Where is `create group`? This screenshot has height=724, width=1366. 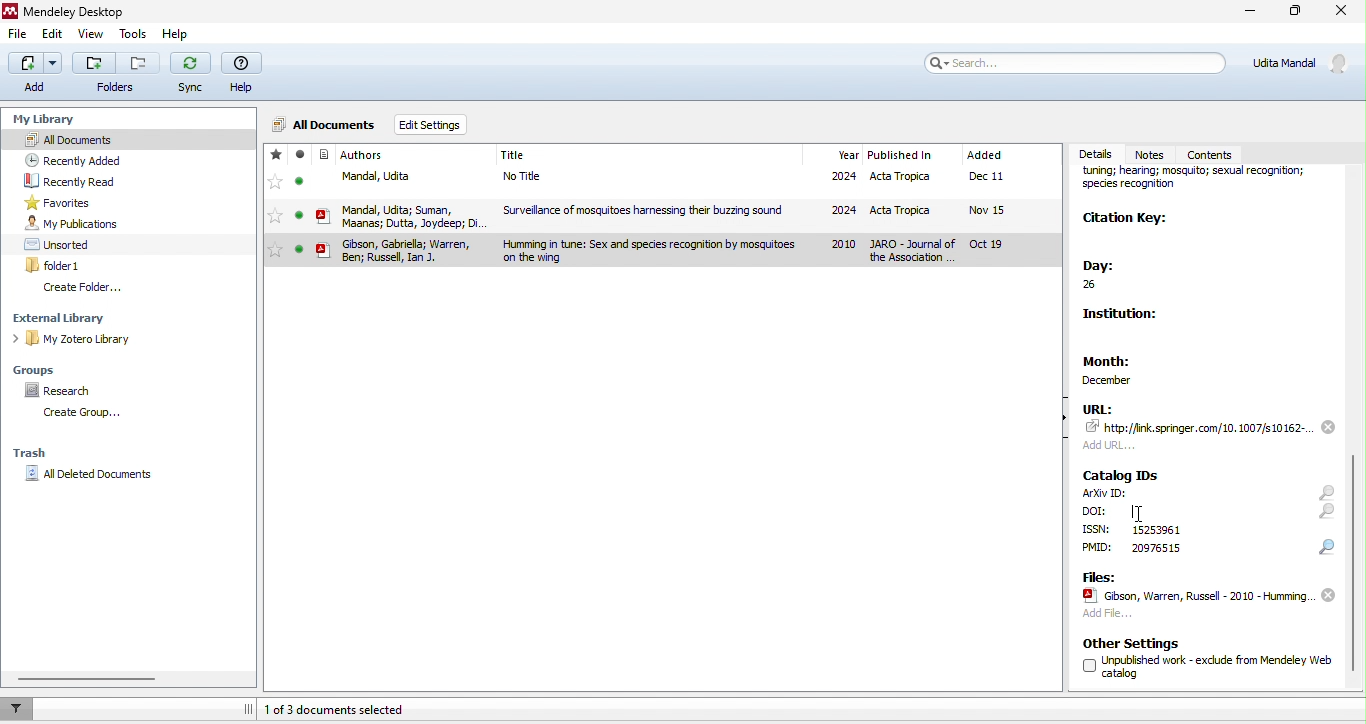
create group is located at coordinates (78, 413).